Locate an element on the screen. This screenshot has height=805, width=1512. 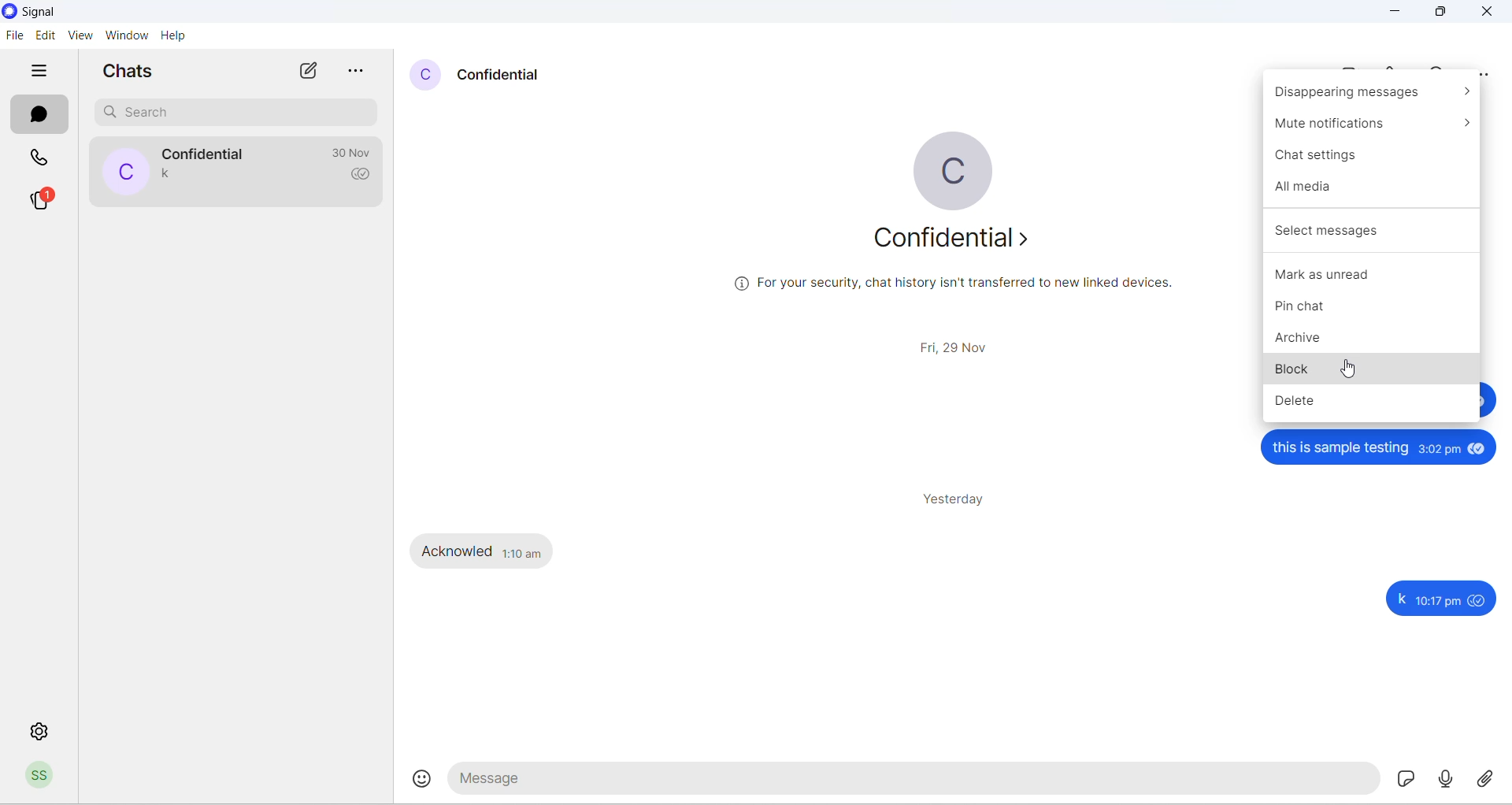
minimize is located at coordinates (1399, 14).